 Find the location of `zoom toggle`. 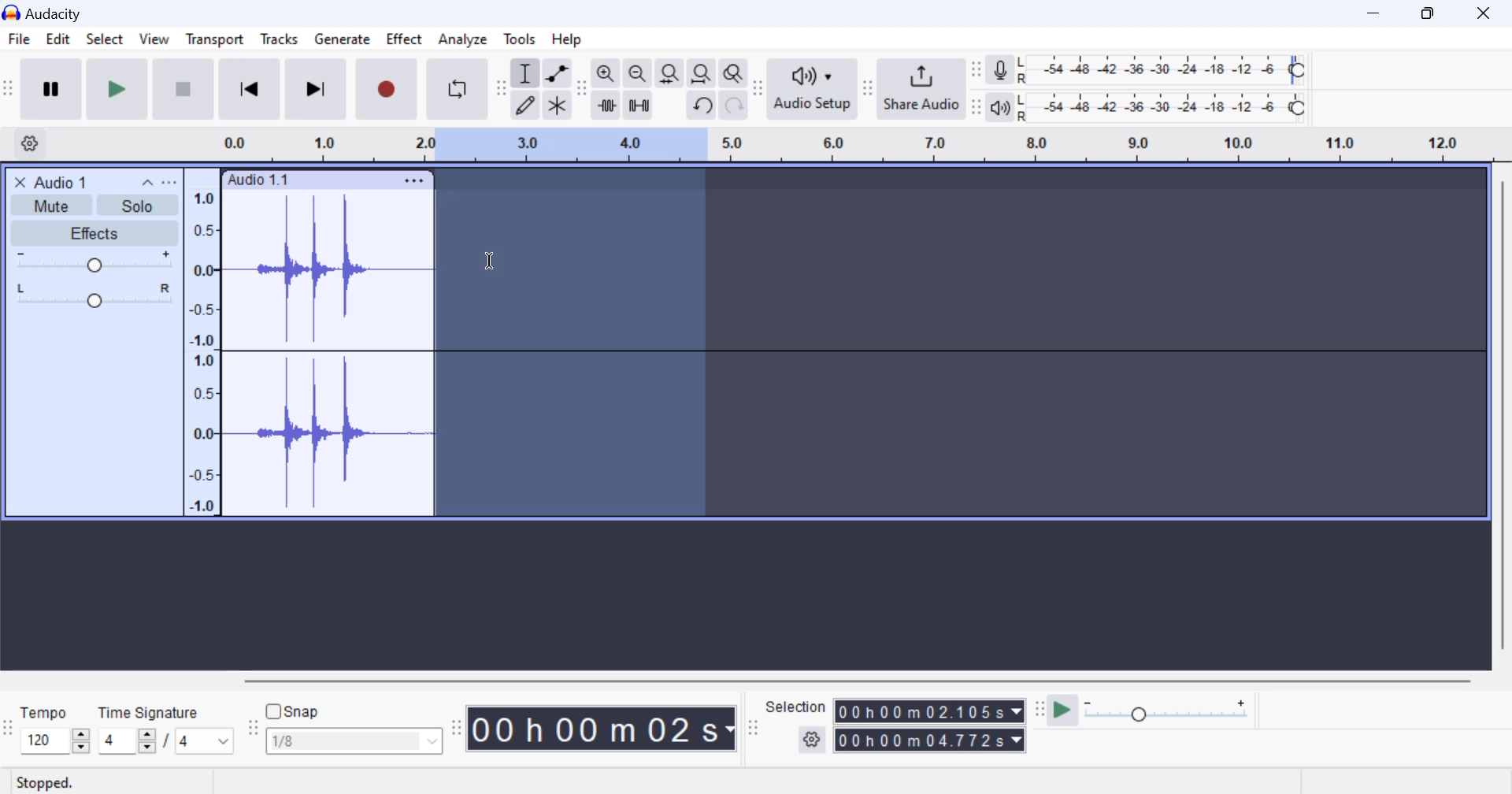

zoom toggle is located at coordinates (735, 75).